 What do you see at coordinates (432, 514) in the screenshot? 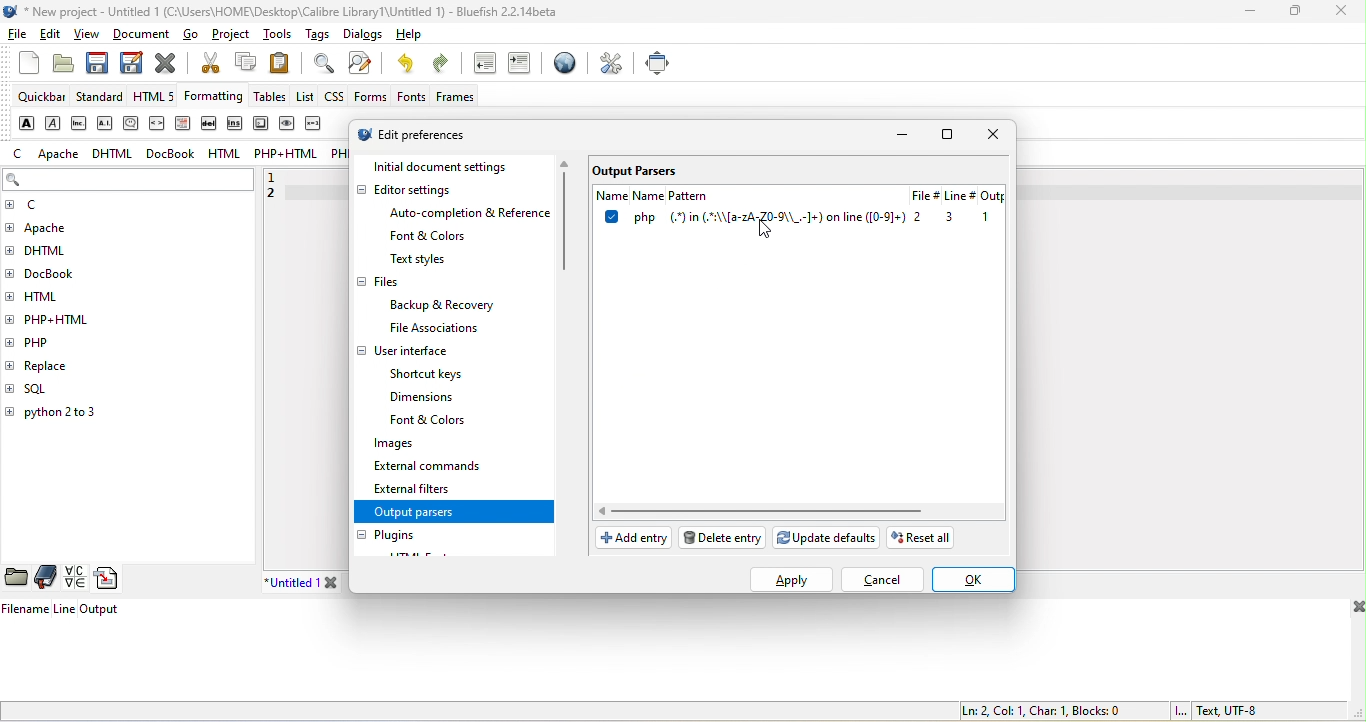
I see `output parsers` at bounding box center [432, 514].